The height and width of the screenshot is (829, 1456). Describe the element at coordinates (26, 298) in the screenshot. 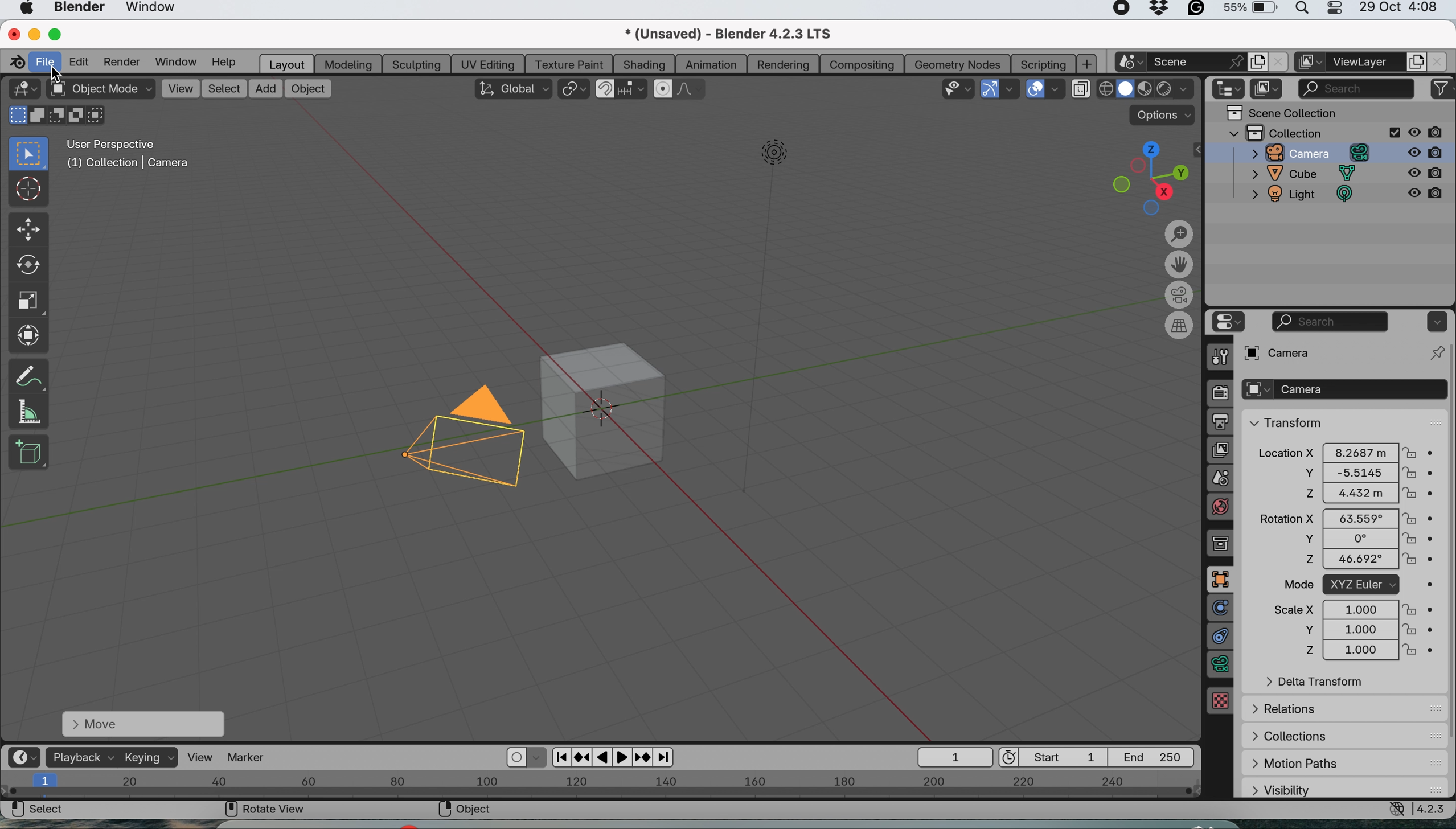

I see `scale` at that location.